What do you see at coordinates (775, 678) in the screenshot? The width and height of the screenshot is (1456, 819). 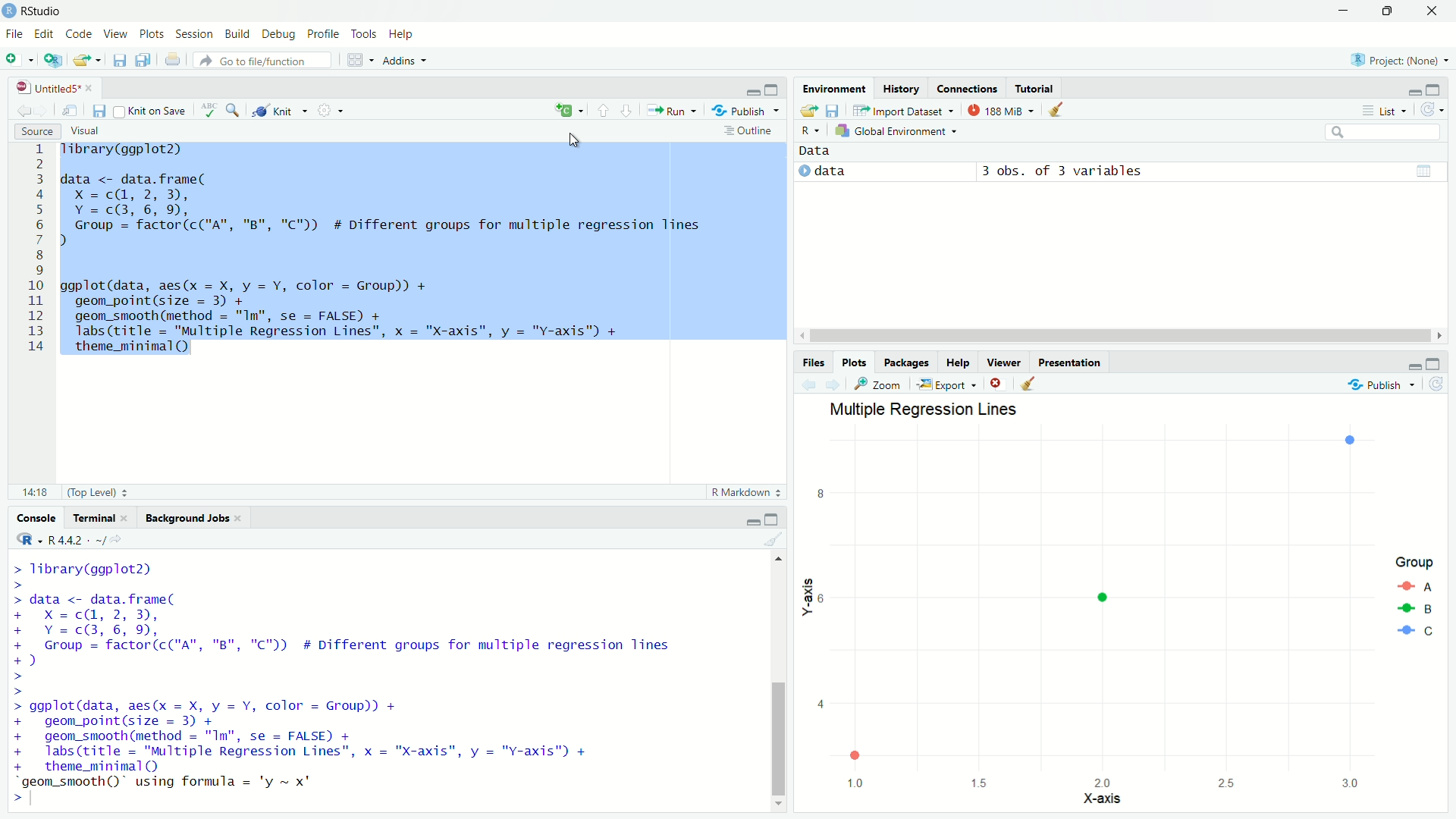 I see `scroll bar` at bounding box center [775, 678].